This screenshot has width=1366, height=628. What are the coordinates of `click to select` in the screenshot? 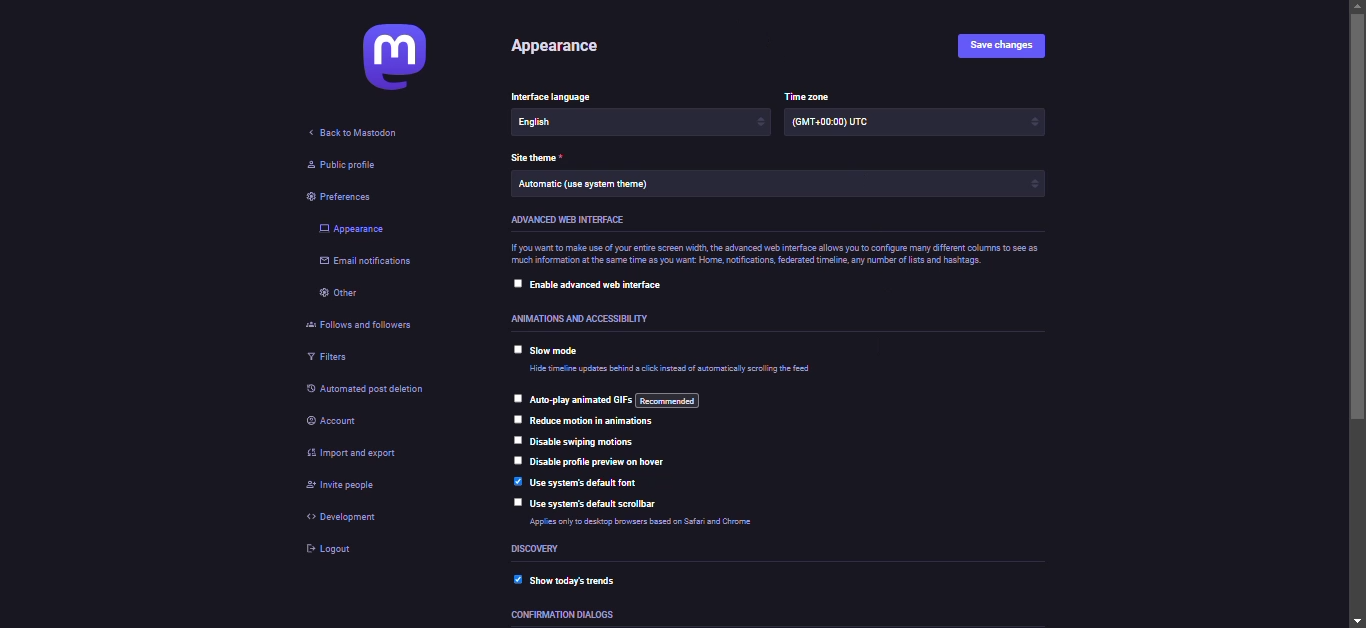 It's located at (516, 442).